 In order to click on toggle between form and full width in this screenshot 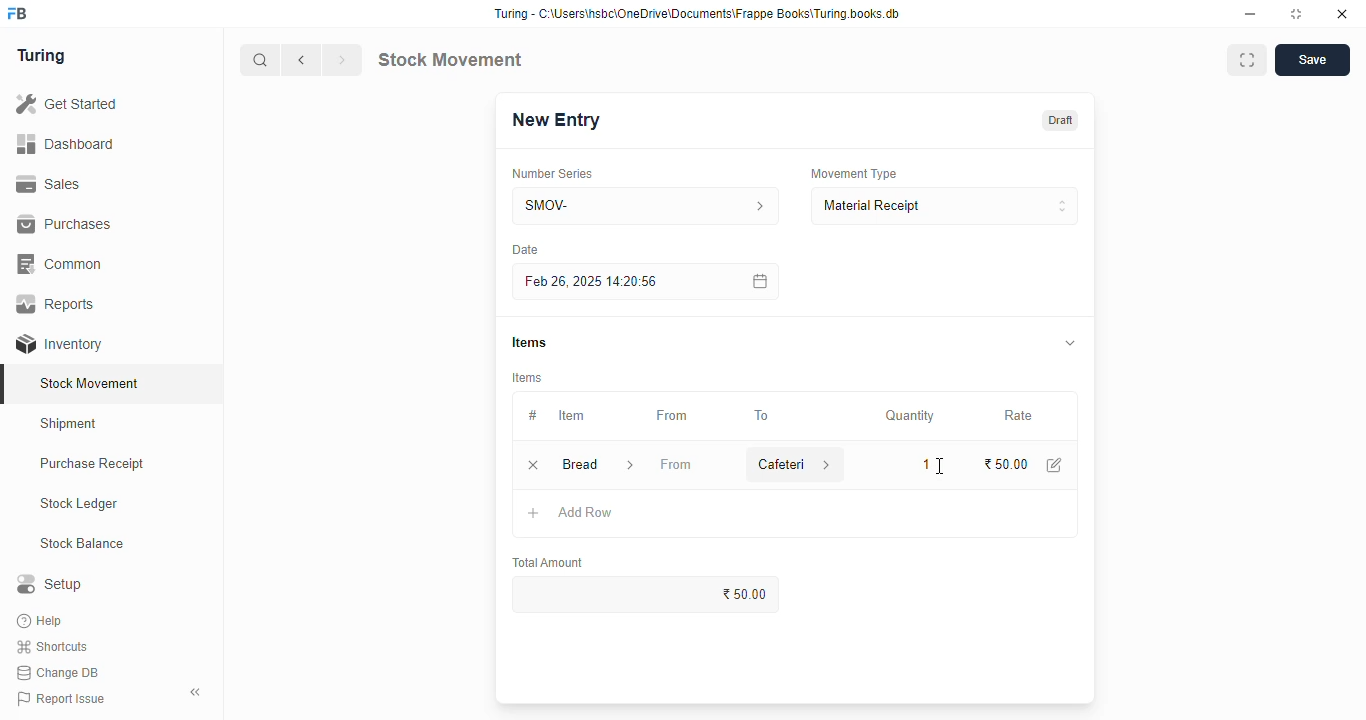, I will do `click(1247, 60)`.